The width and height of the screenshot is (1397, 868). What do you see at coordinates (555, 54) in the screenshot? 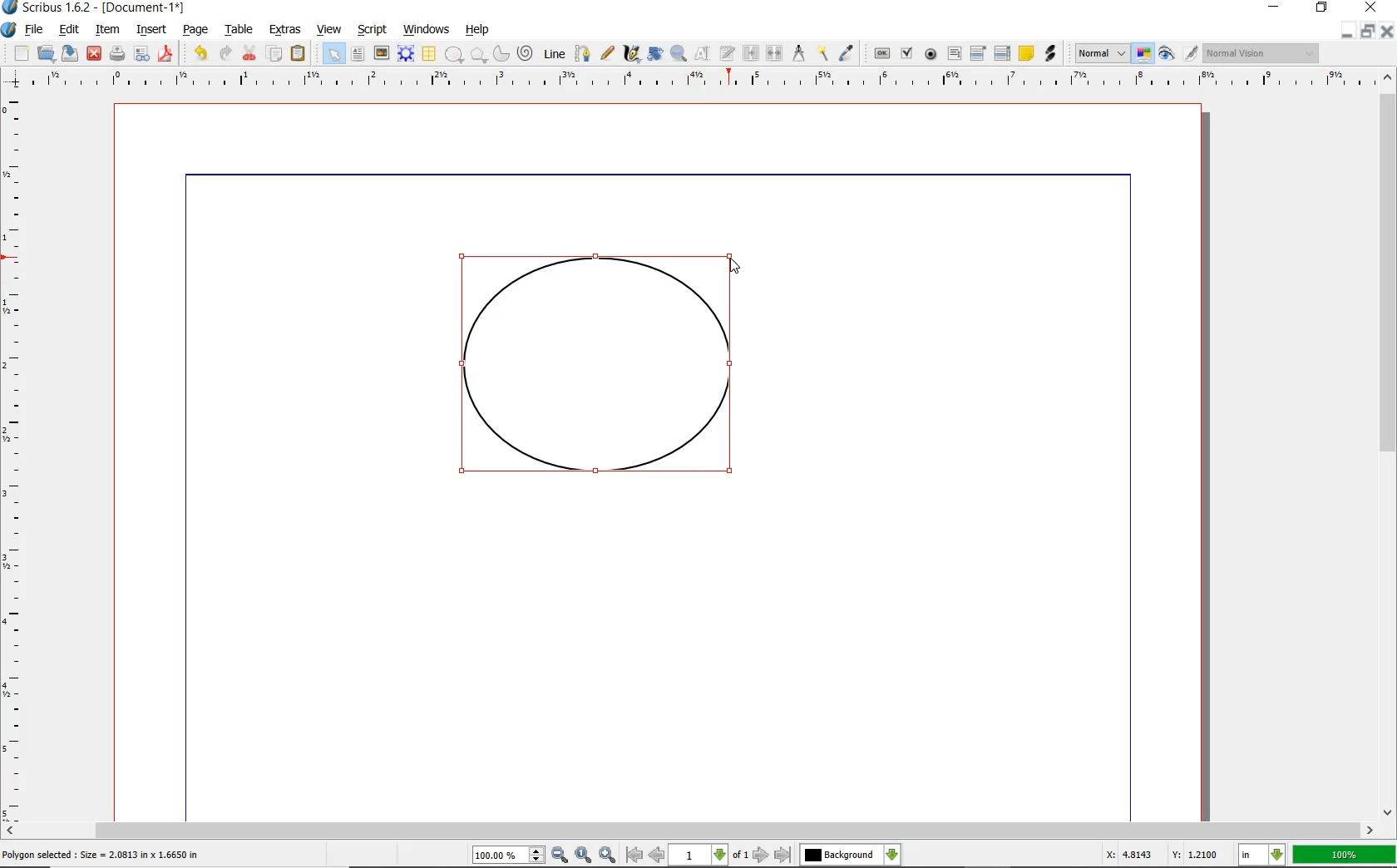
I see `LINE` at bounding box center [555, 54].